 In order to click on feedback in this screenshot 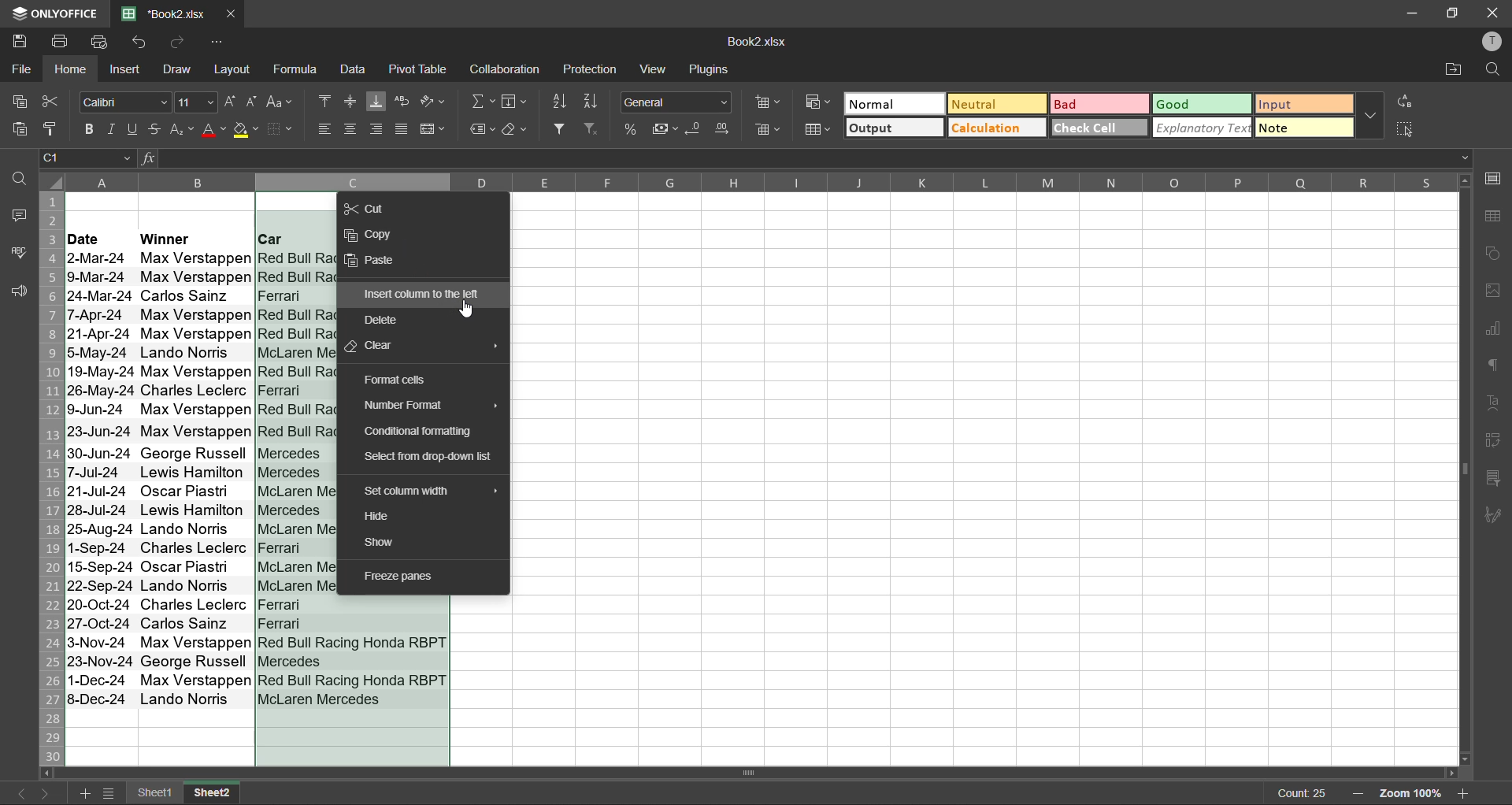, I will do `click(17, 292)`.